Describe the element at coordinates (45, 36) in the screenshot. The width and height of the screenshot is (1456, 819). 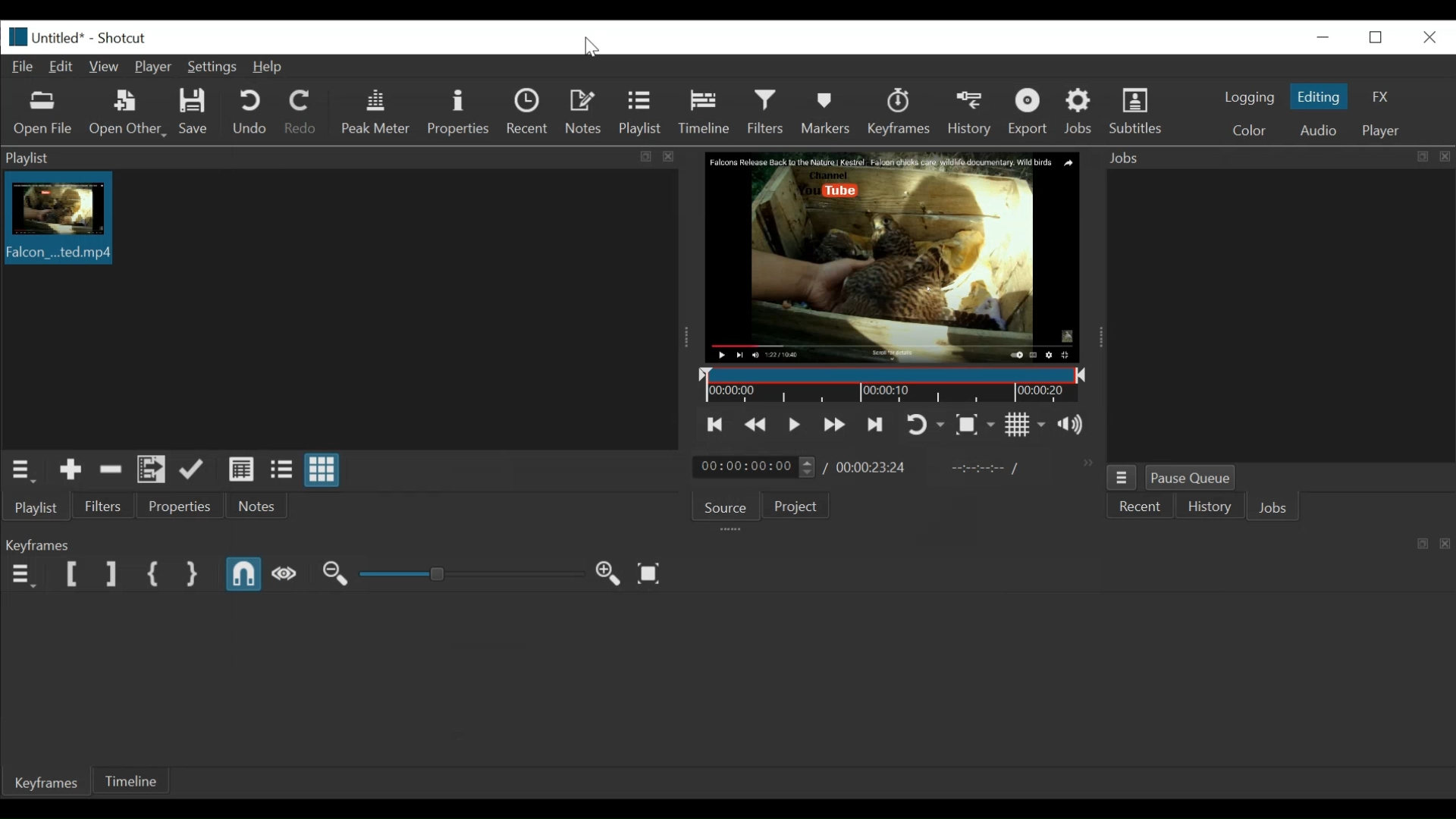
I see `File name` at that location.